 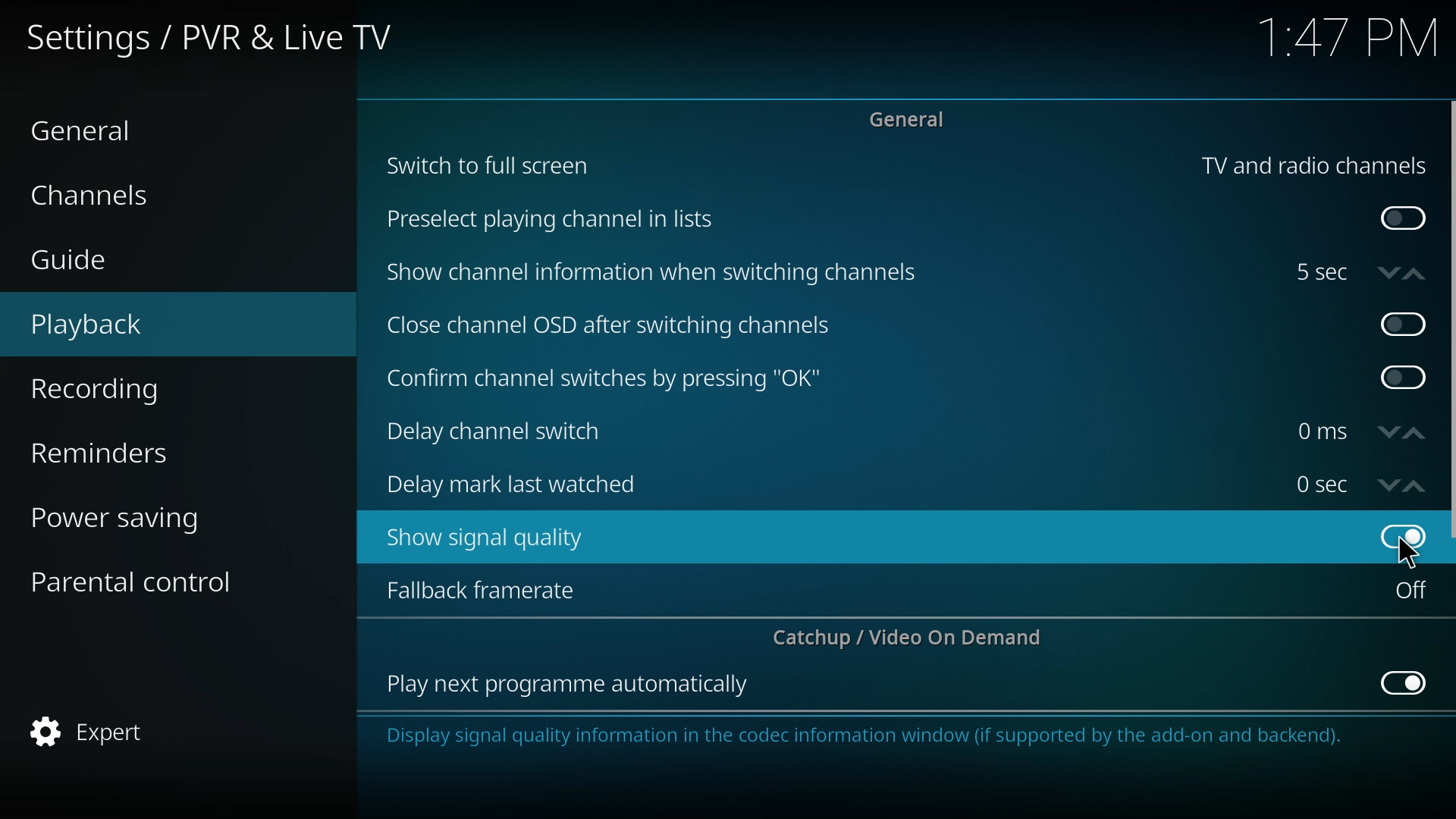 What do you see at coordinates (570, 686) in the screenshot?
I see `play next program automatically` at bounding box center [570, 686].